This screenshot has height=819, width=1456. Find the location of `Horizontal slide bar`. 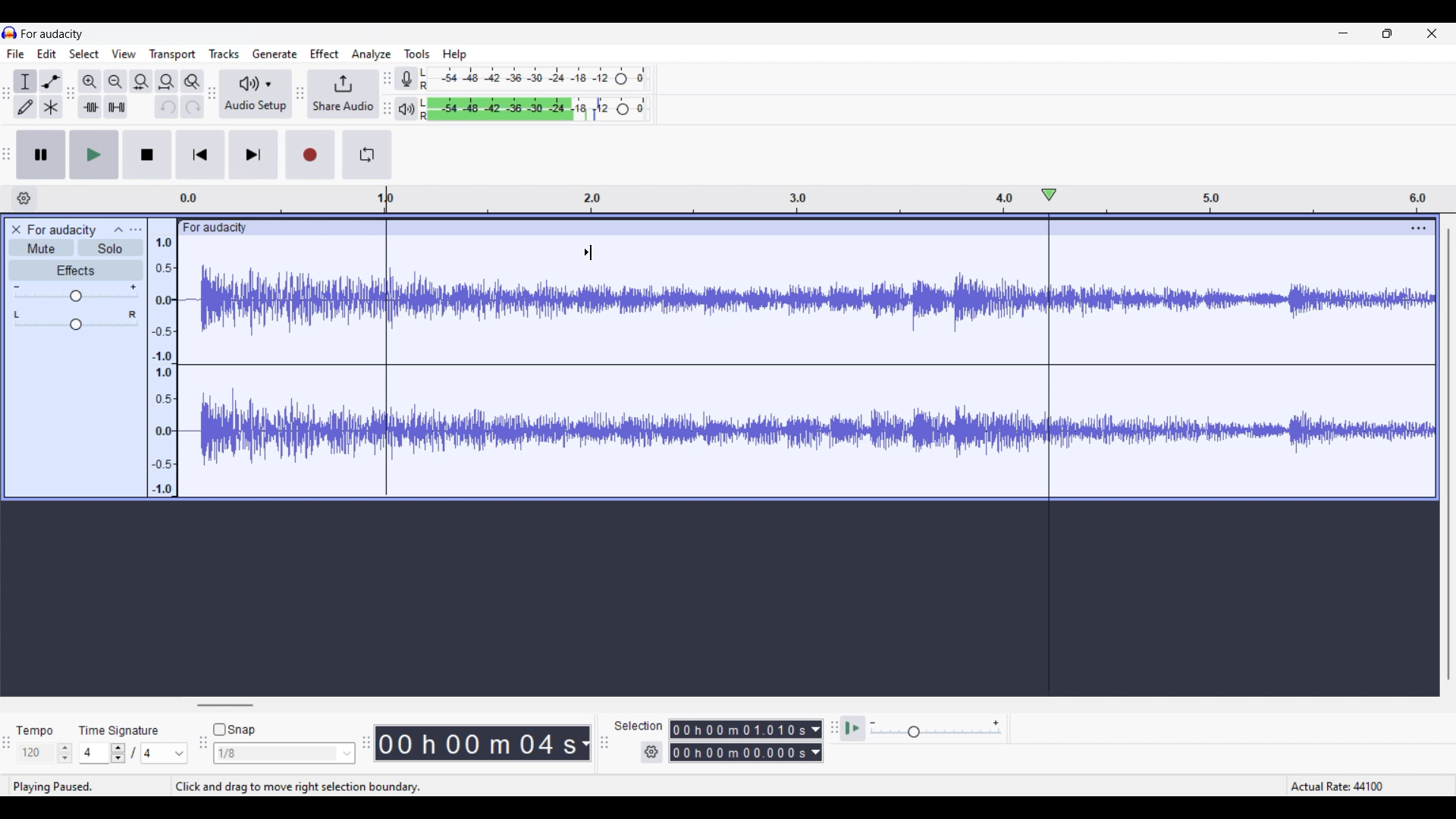

Horizontal slide bar is located at coordinates (224, 705).